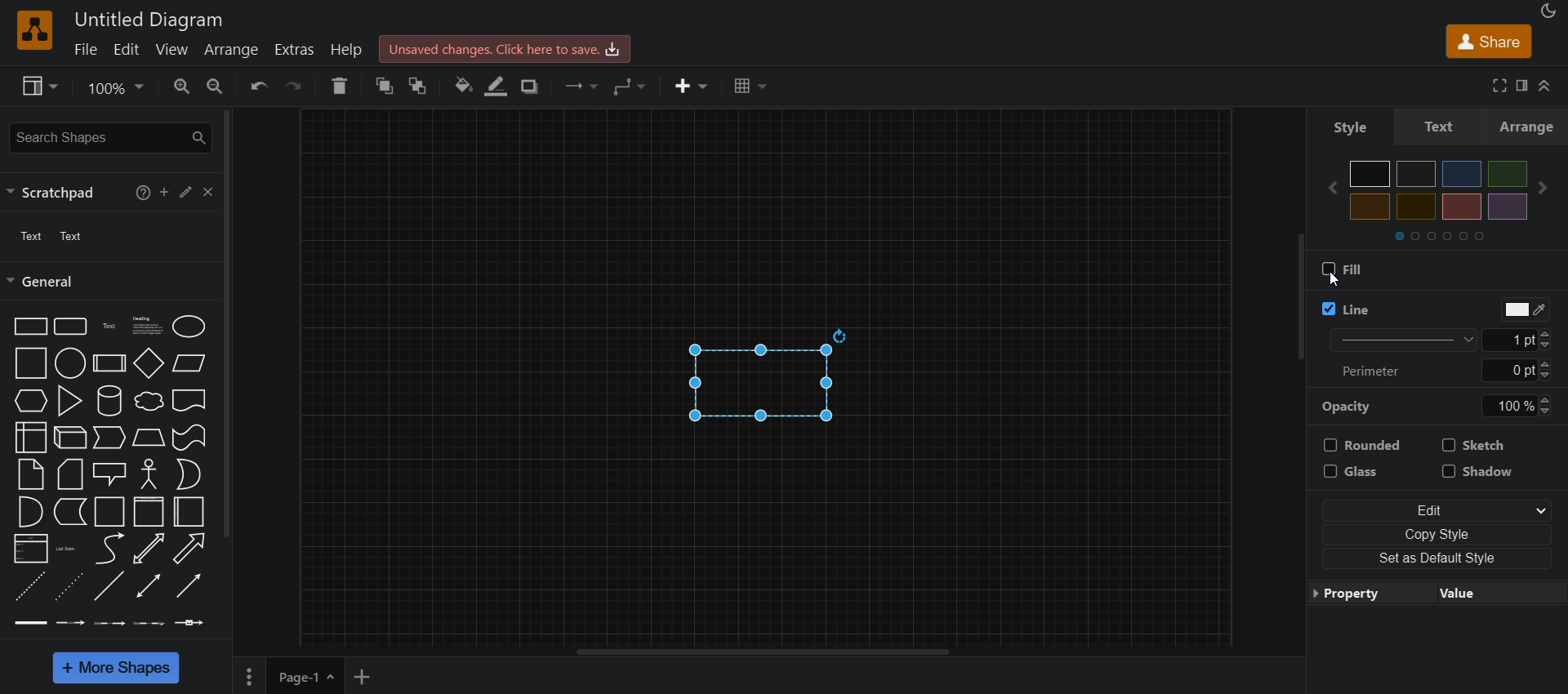 The width and height of the screenshot is (1568, 694). I want to click on increase line width, so click(1550, 331).